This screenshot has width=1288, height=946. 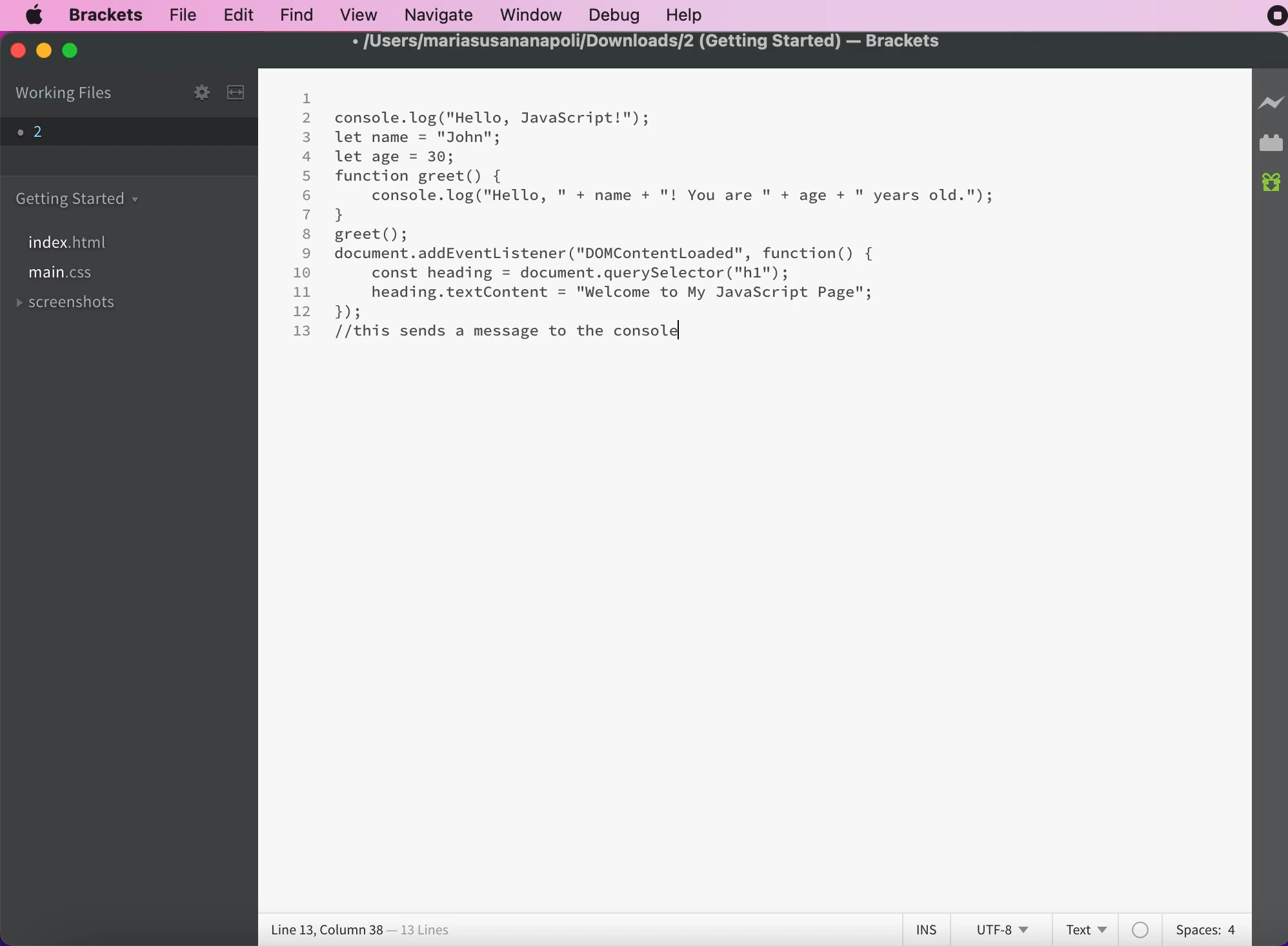 I want to click on 2, so click(x=308, y=119).